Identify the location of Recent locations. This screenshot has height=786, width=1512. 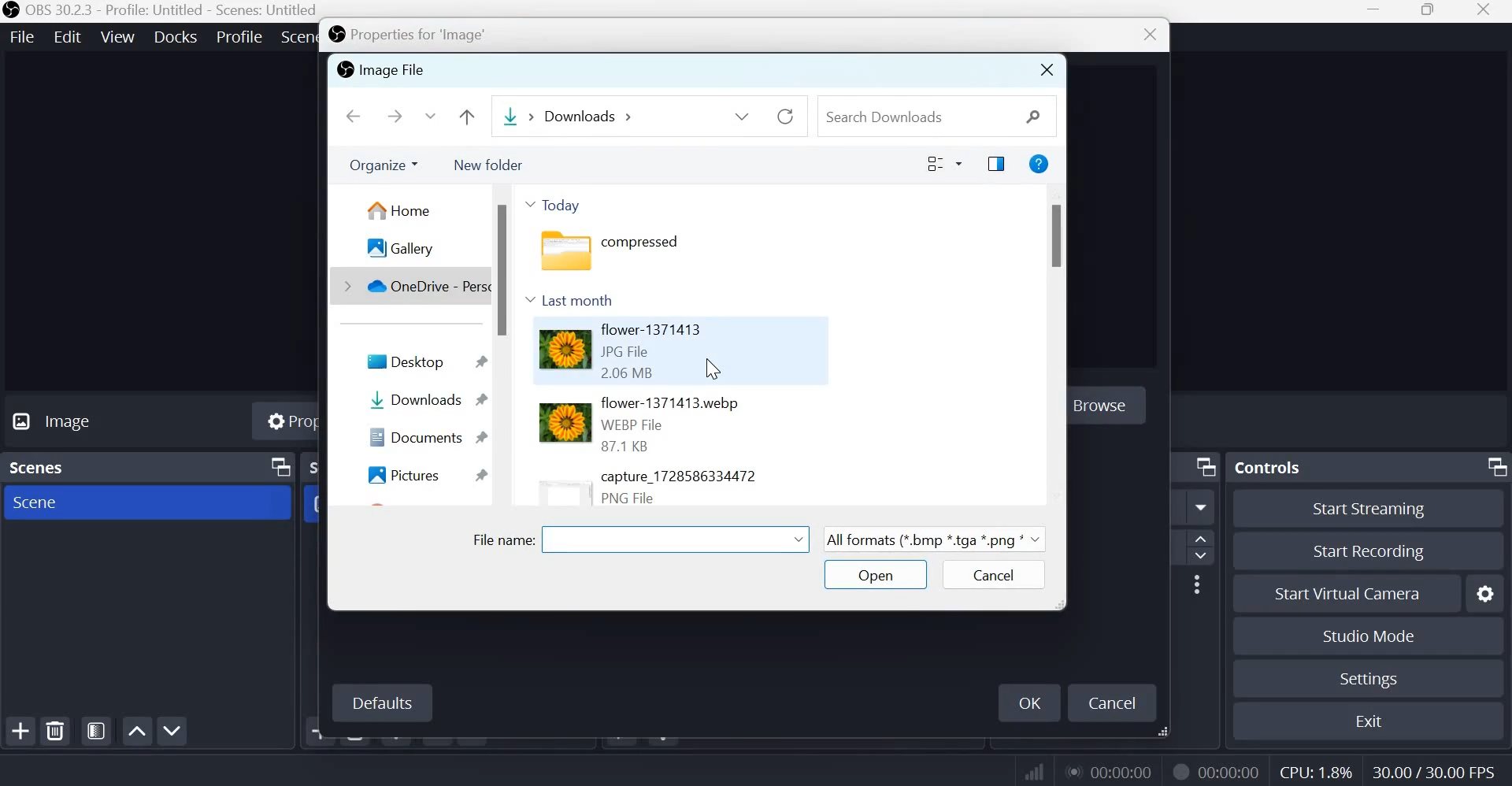
(432, 116).